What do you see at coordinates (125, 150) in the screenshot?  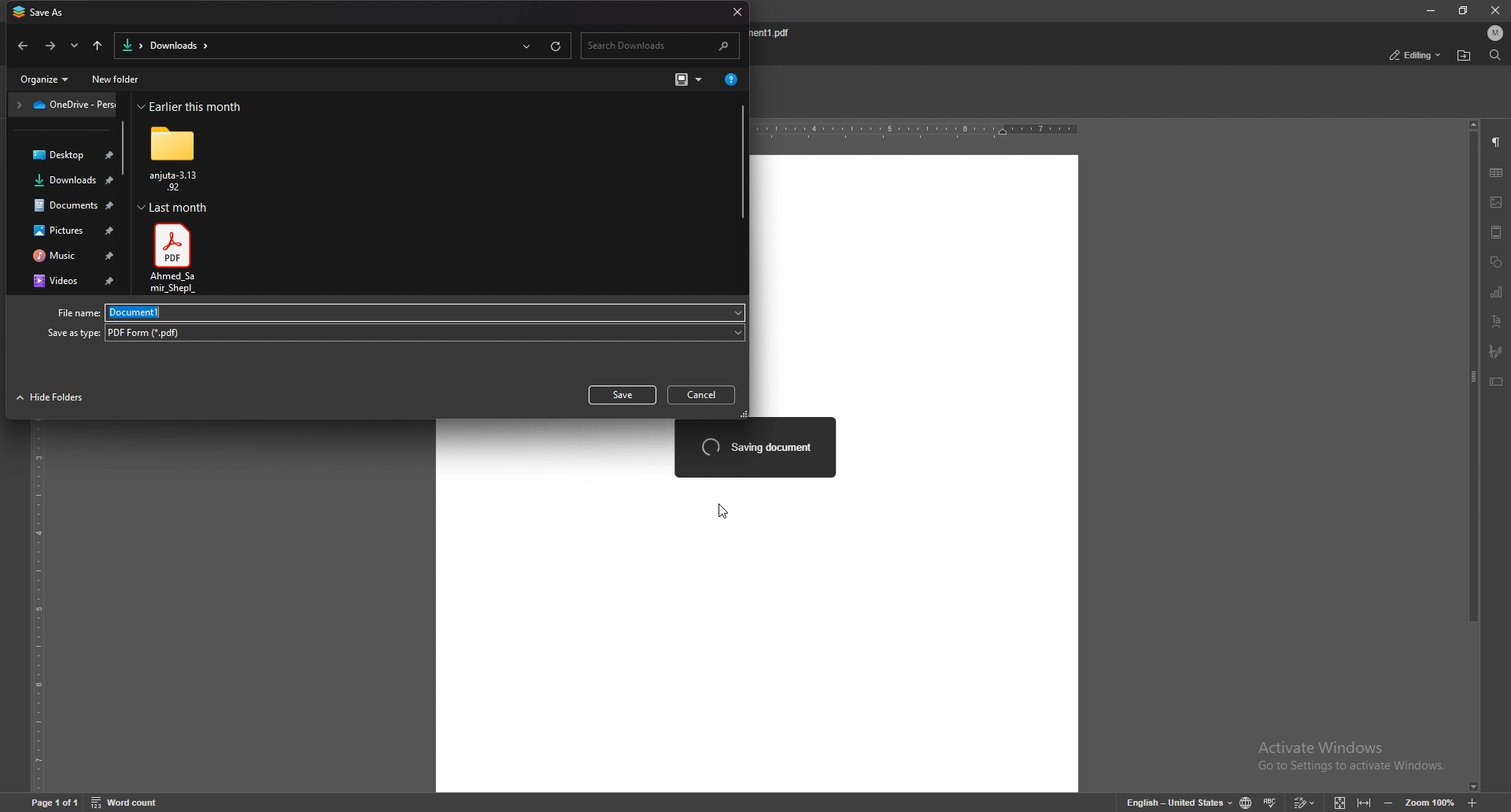 I see `scroll bar` at bounding box center [125, 150].